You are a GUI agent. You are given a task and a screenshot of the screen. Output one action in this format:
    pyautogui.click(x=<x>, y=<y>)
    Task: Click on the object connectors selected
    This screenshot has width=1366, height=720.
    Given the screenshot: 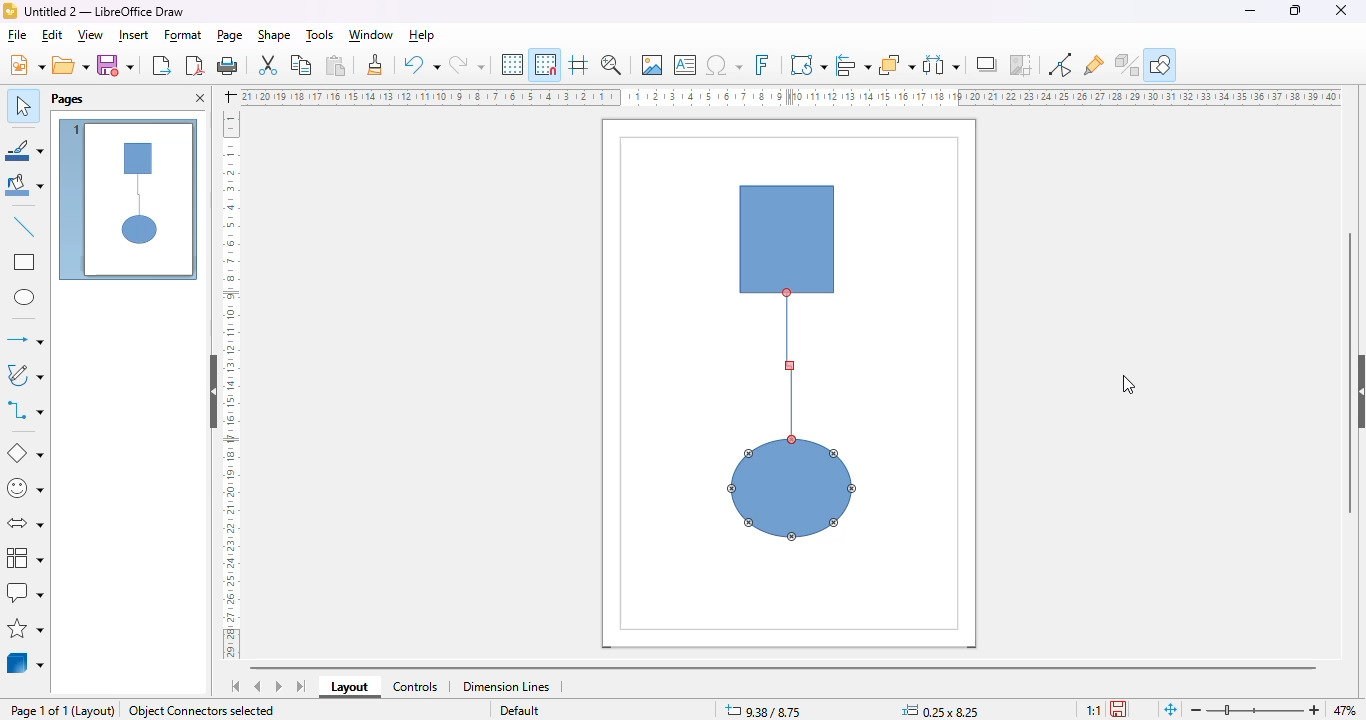 What is the action you would take?
    pyautogui.click(x=202, y=711)
    